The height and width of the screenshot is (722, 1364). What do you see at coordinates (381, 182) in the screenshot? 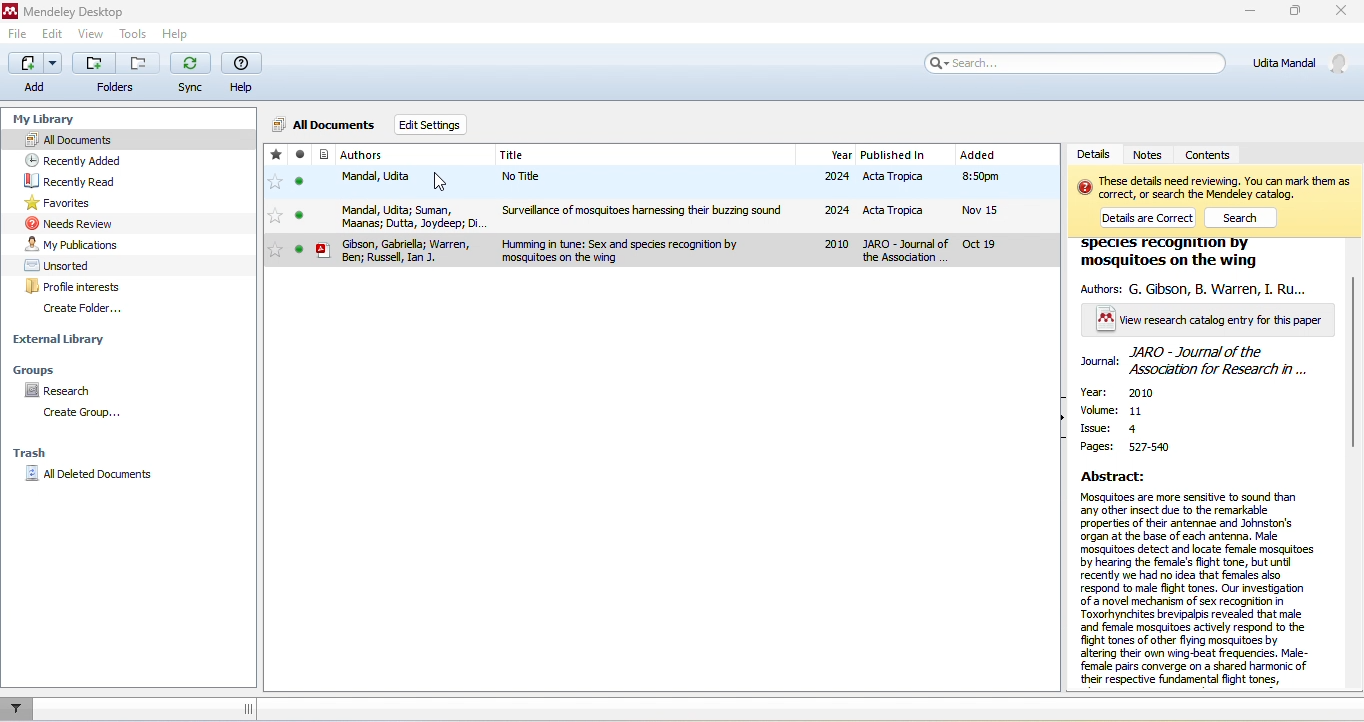
I see `mandal,udita` at bounding box center [381, 182].